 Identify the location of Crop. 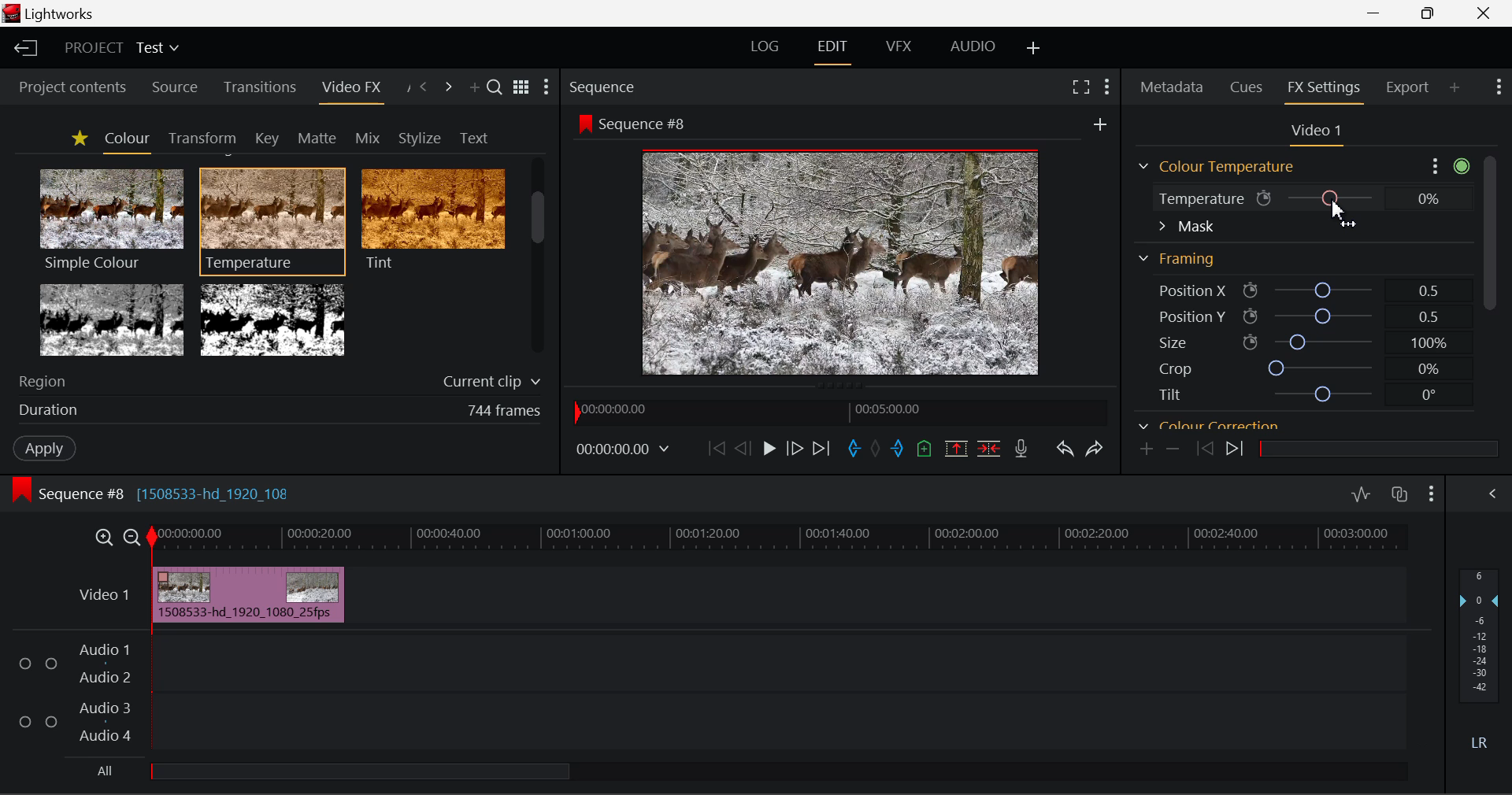
(1175, 368).